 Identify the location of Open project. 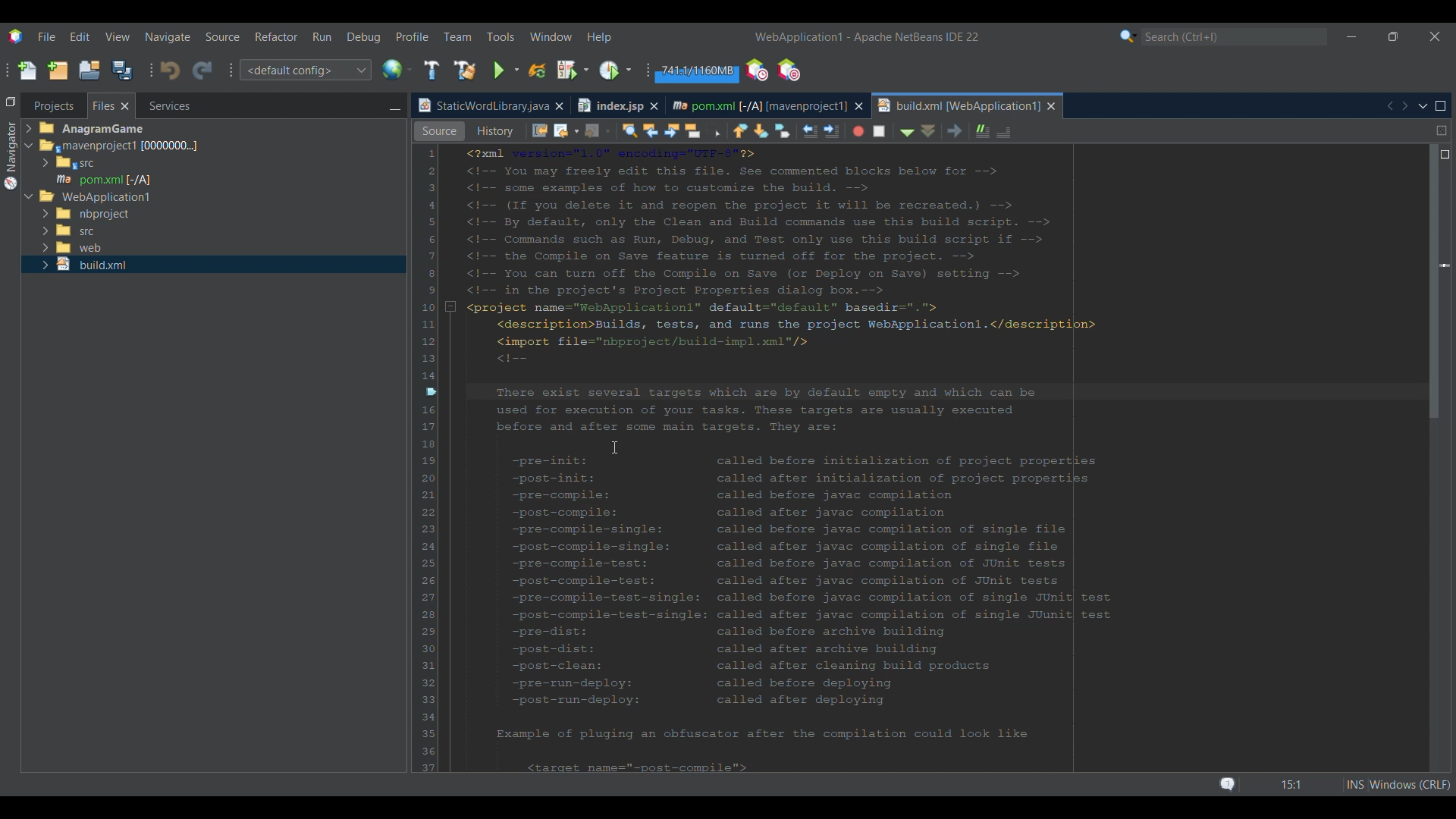
(89, 70).